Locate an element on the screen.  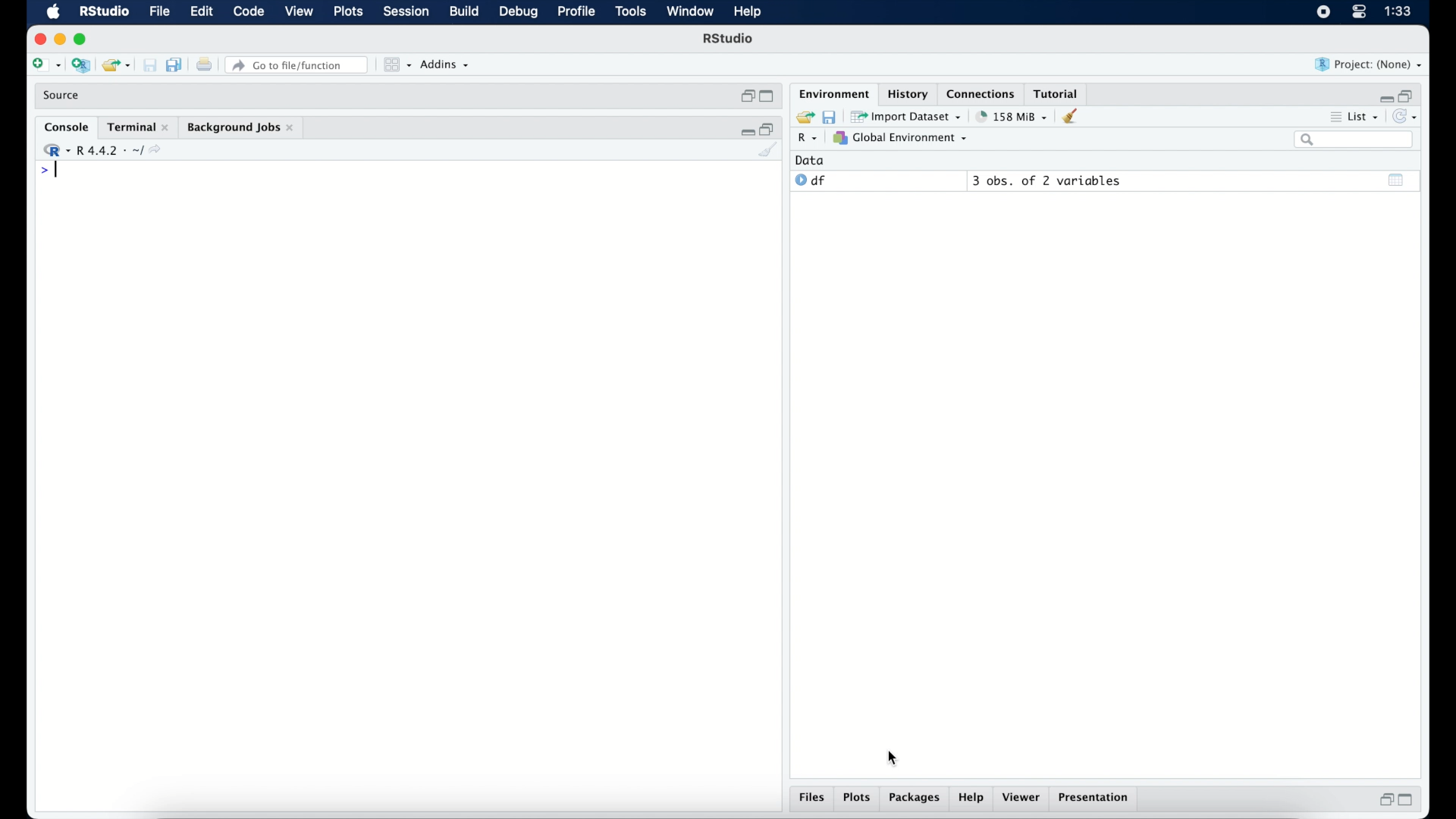
maximize is located at coordinates (766, 96).